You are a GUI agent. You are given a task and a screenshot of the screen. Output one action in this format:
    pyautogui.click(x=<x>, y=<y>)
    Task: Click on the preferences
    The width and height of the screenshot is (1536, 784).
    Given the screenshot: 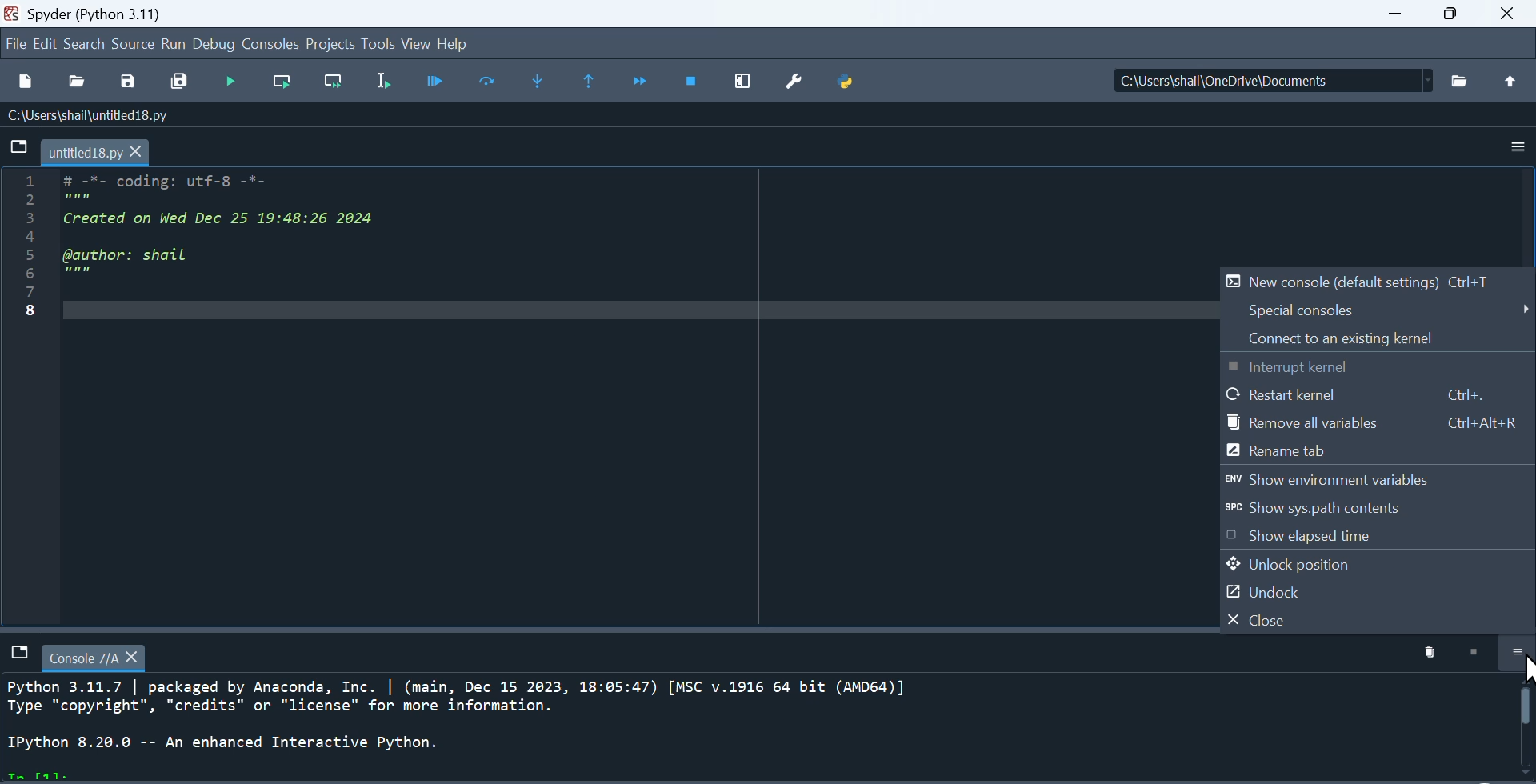 What is the action you would take?
    pyautogui.click(x=794, y=82)
    